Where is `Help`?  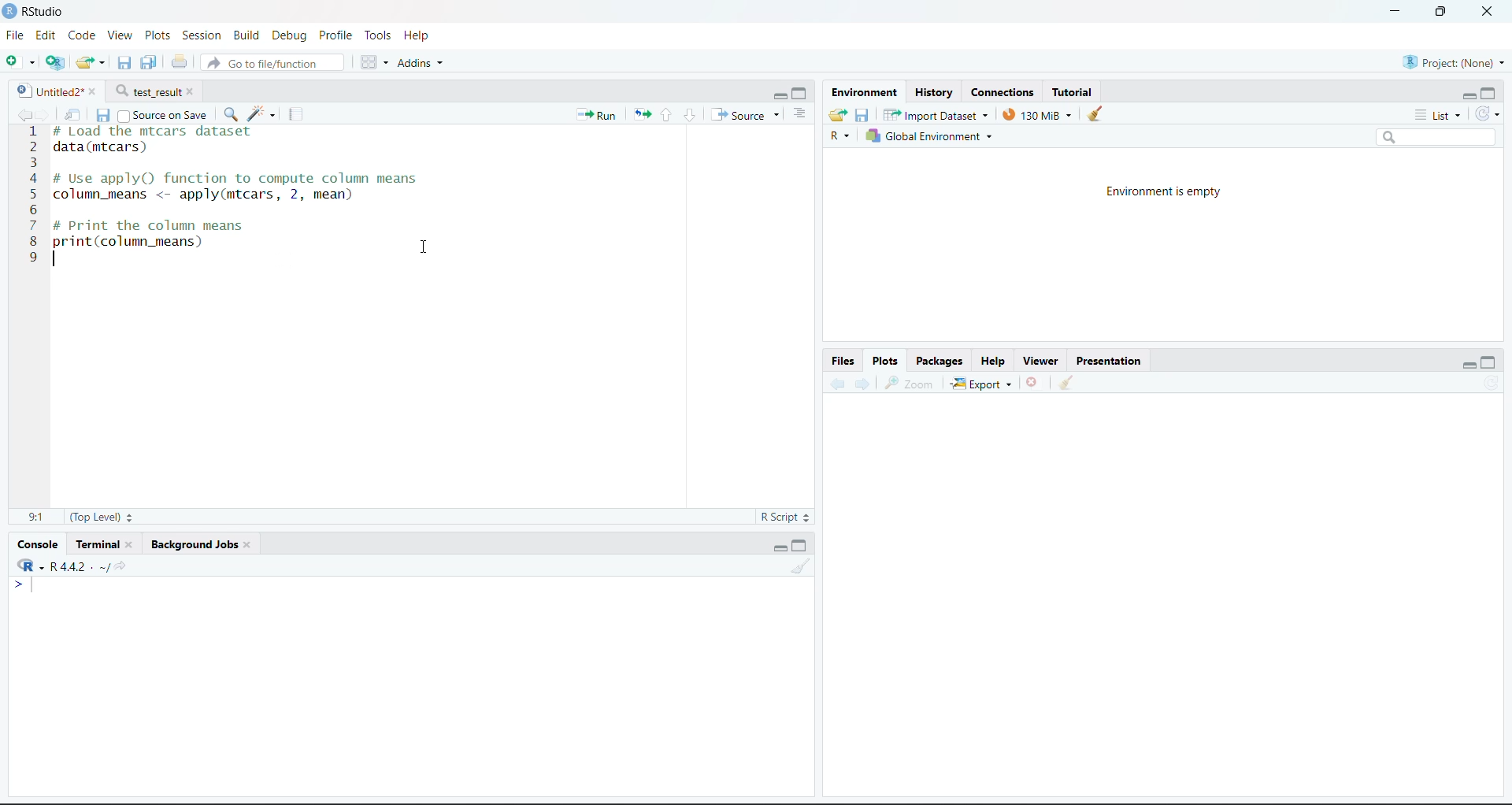 Help is located at coordinates (994, 359).